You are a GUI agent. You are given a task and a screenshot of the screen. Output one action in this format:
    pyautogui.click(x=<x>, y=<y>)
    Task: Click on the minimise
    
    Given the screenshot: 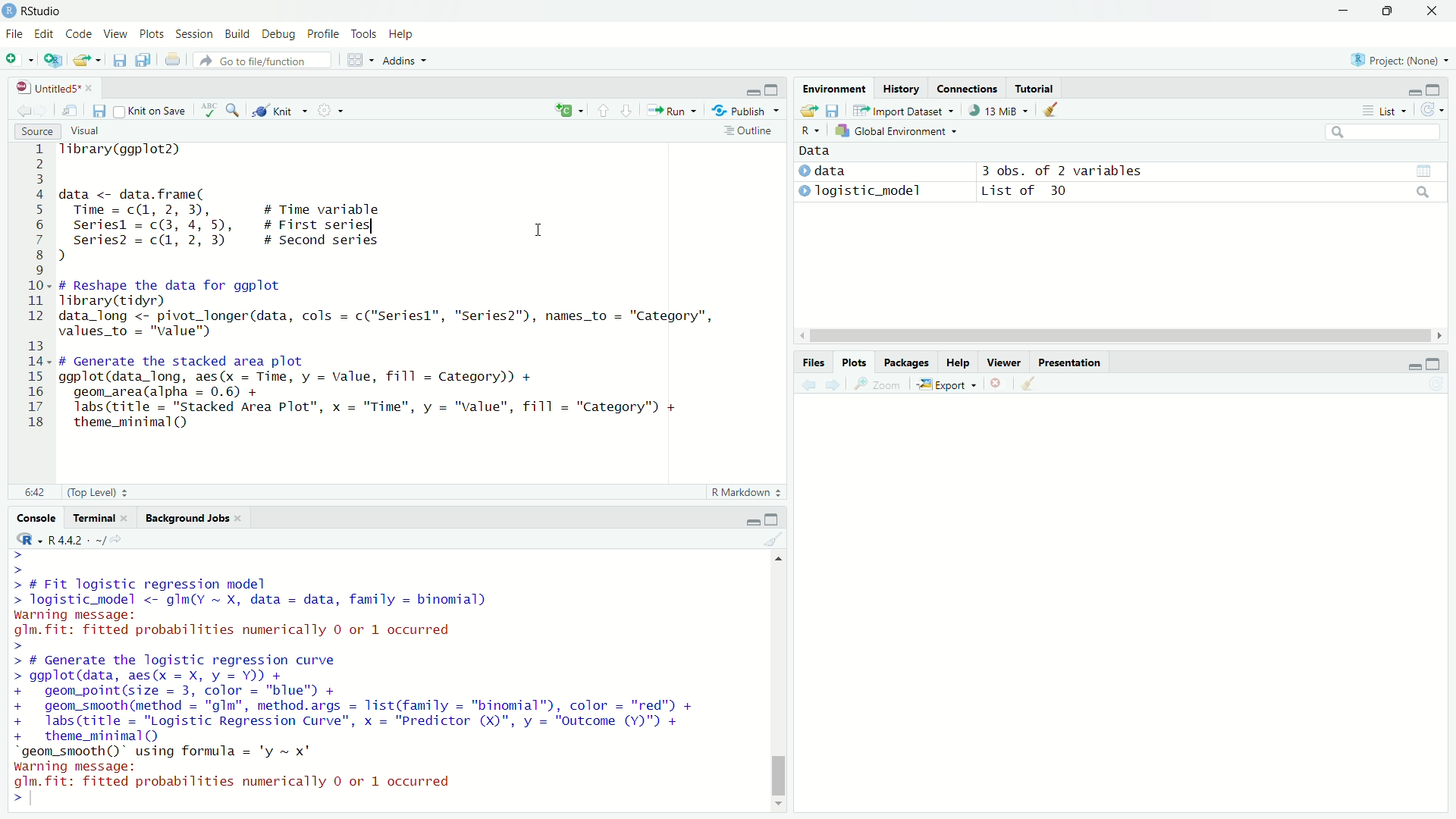 What is the action you would take?
    pyautogui.click(x=1341, y=11)
    